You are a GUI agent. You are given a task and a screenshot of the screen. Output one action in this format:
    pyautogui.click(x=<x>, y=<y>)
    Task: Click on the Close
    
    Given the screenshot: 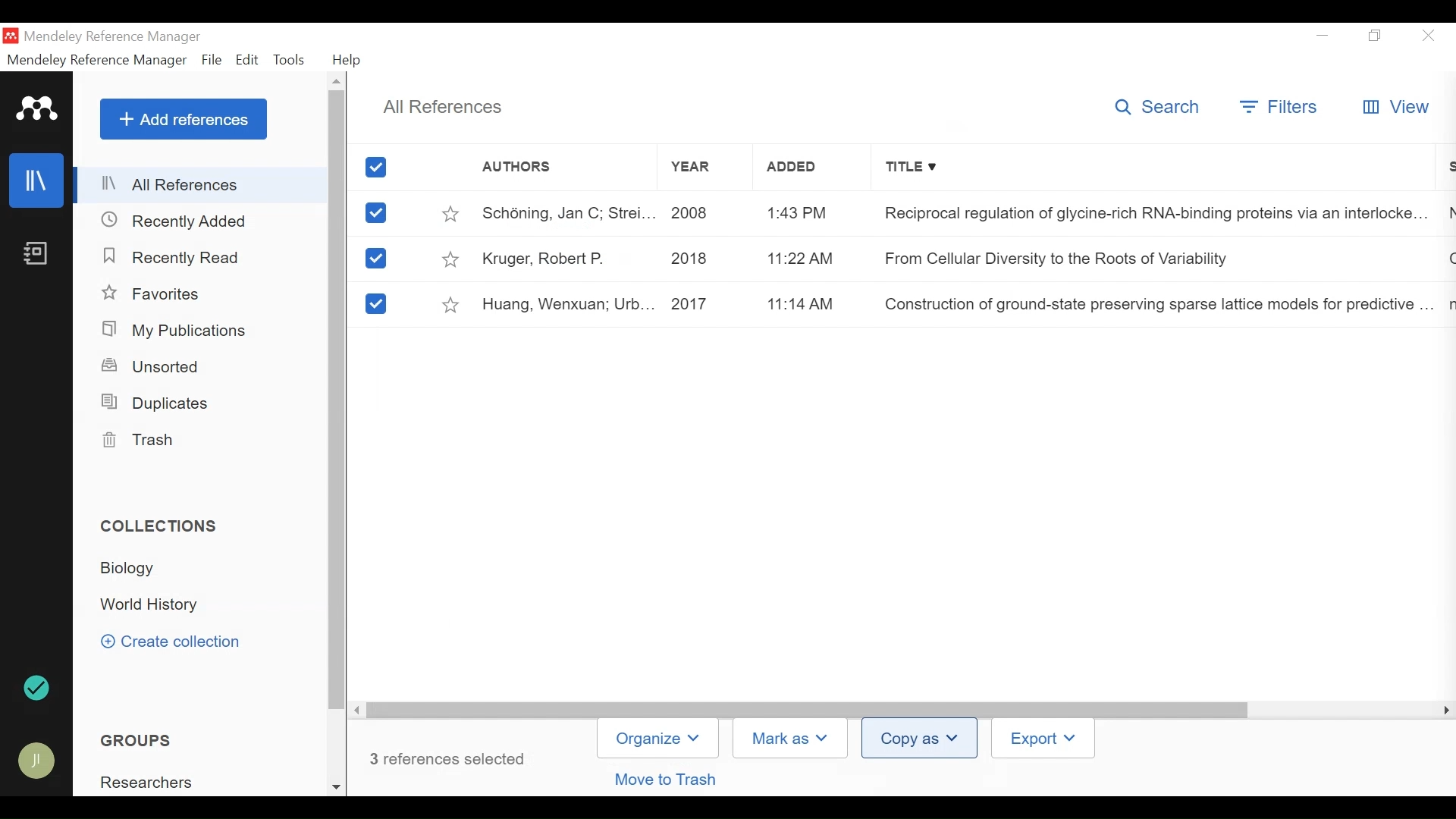 What is the action you would take?
    pyautogui.click(x=1429, y=36)
    